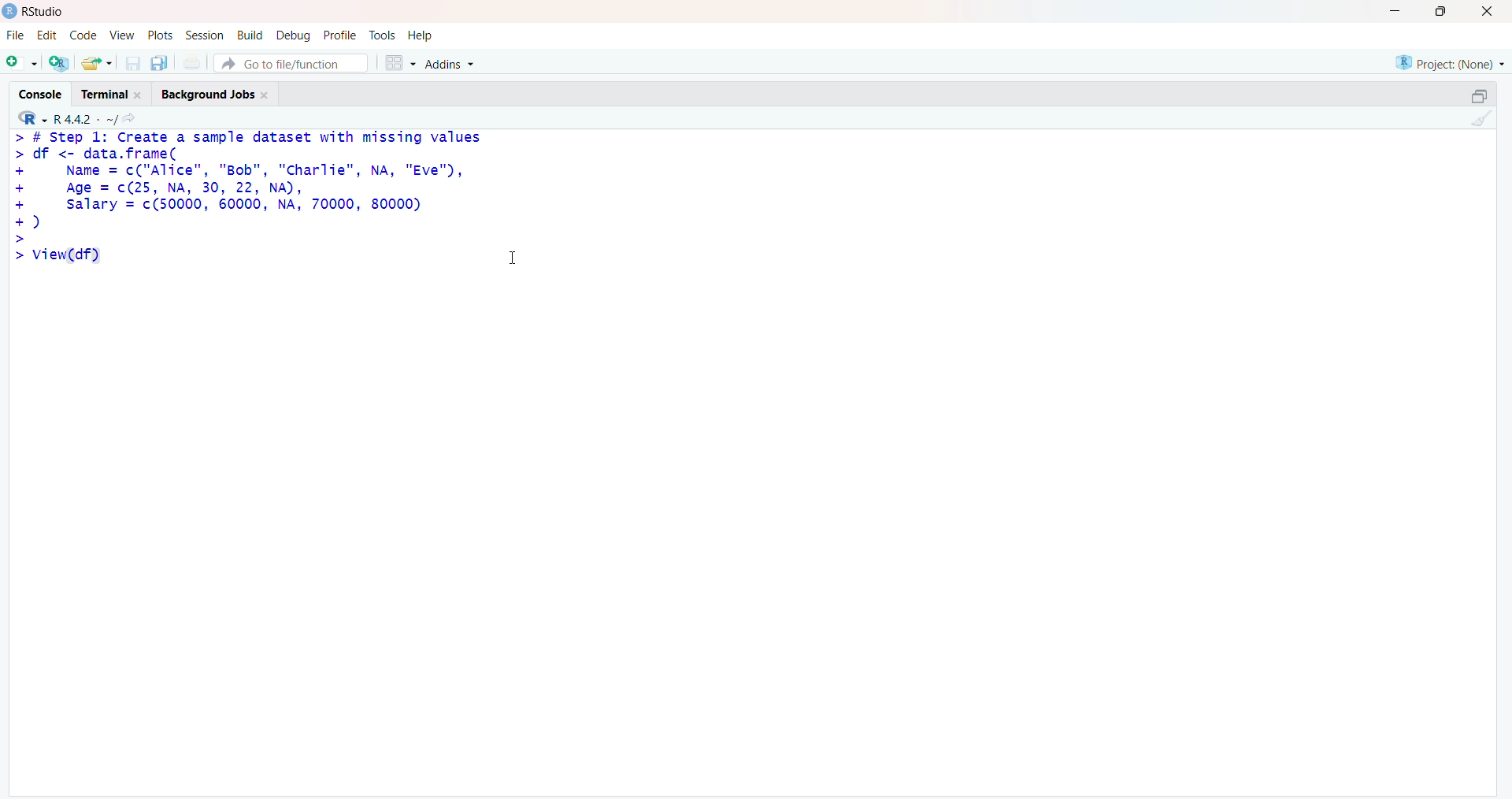  Describe the element at coordinates (85, 119) in the screenshot. I see `R.4.4.2~/` at that location.